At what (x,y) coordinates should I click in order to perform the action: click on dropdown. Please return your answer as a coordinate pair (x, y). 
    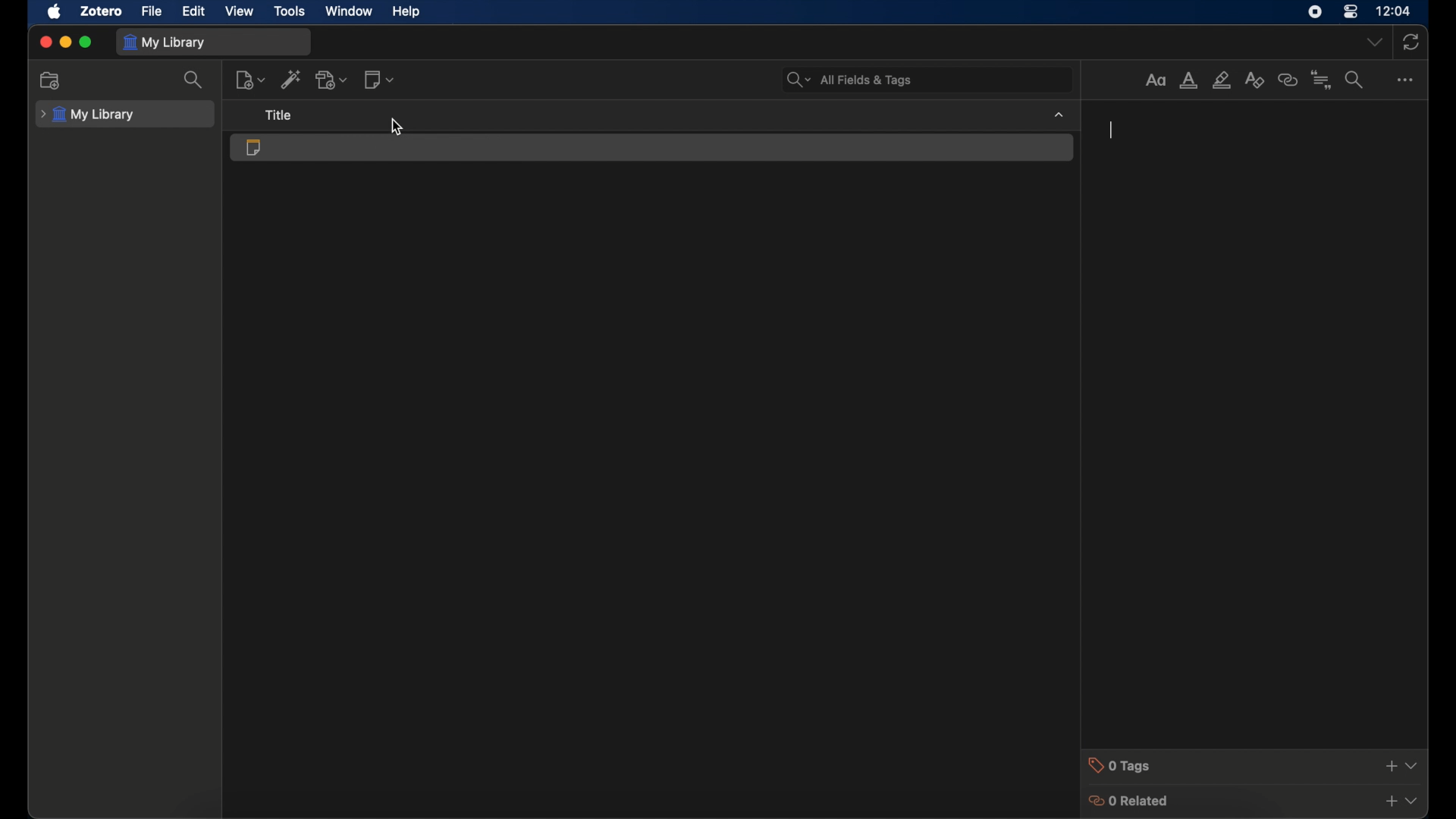
    Looking at the image, I should click on (1059, 115).